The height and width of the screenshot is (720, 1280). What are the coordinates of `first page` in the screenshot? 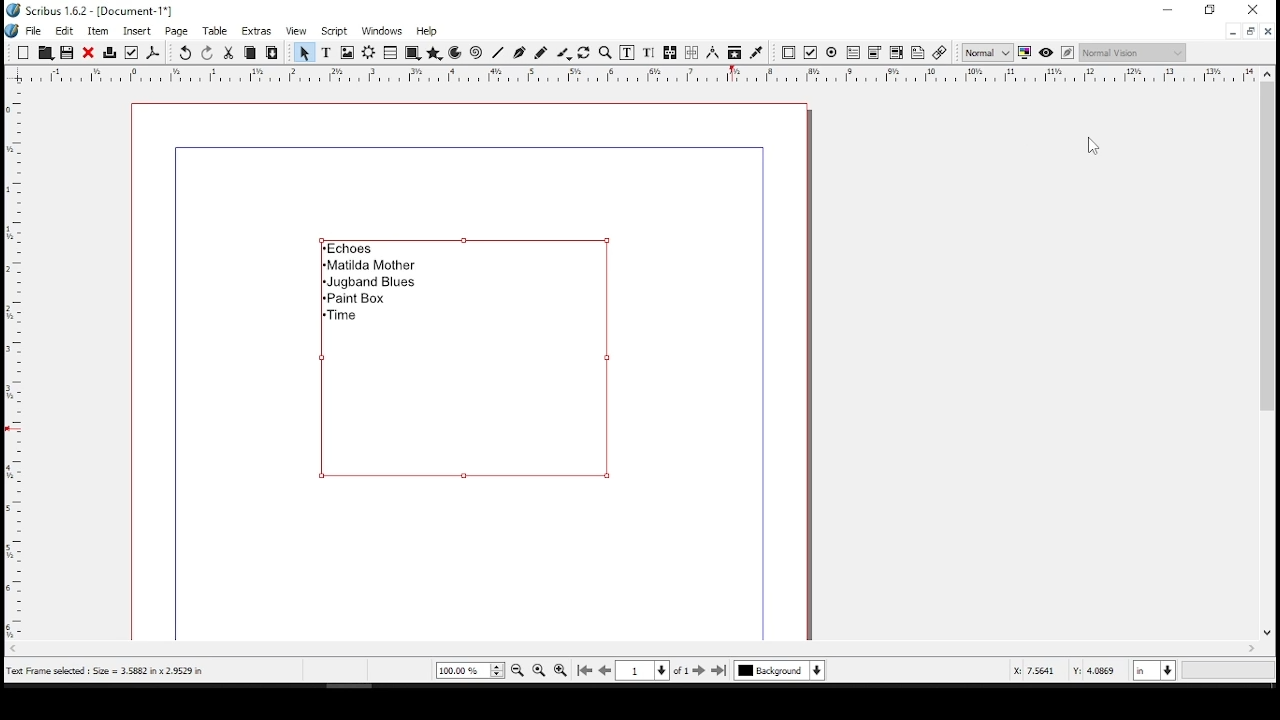 It's located at (587, 671).